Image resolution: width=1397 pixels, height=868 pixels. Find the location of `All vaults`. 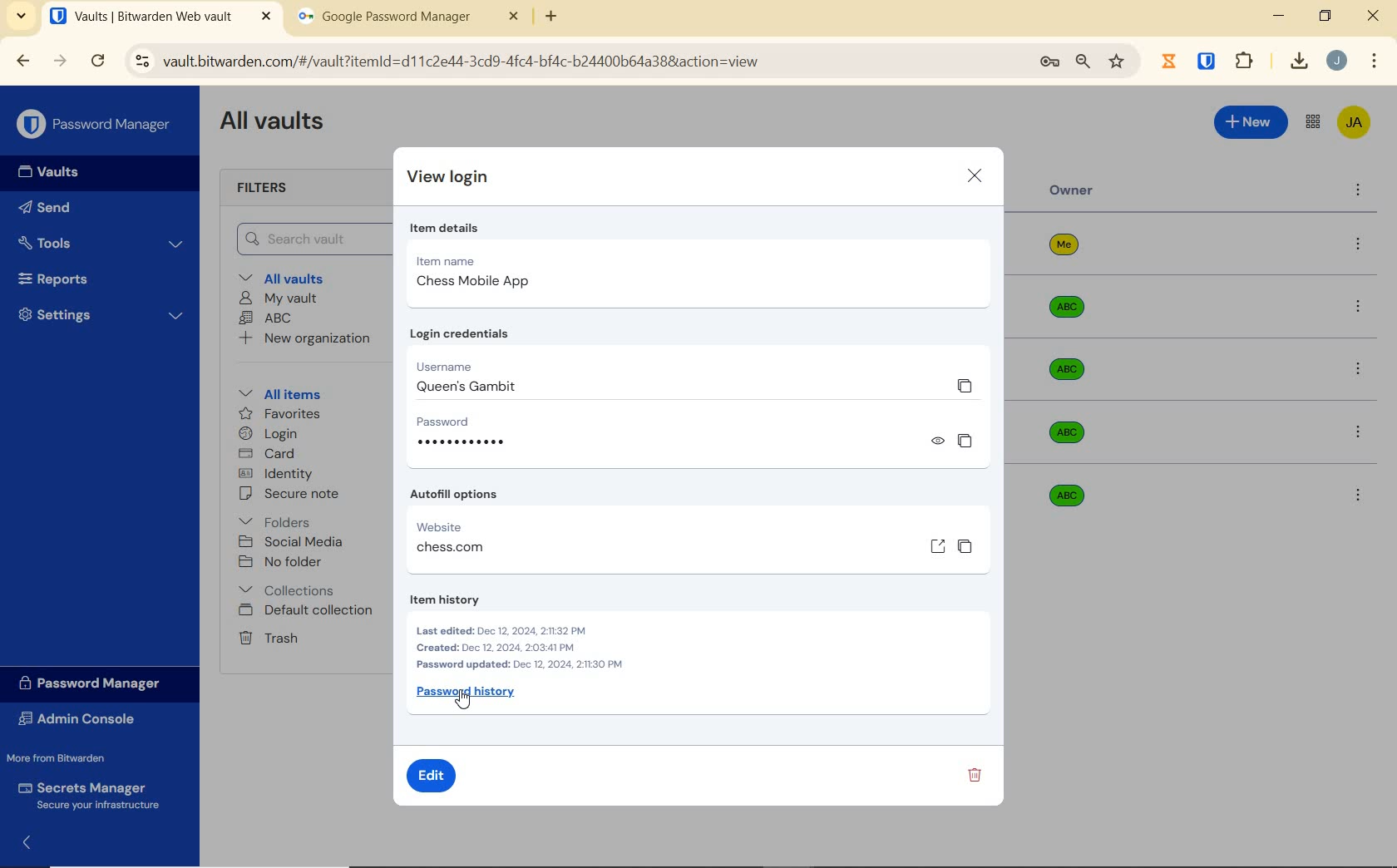

All vaults is located at coordinates (293, 278).